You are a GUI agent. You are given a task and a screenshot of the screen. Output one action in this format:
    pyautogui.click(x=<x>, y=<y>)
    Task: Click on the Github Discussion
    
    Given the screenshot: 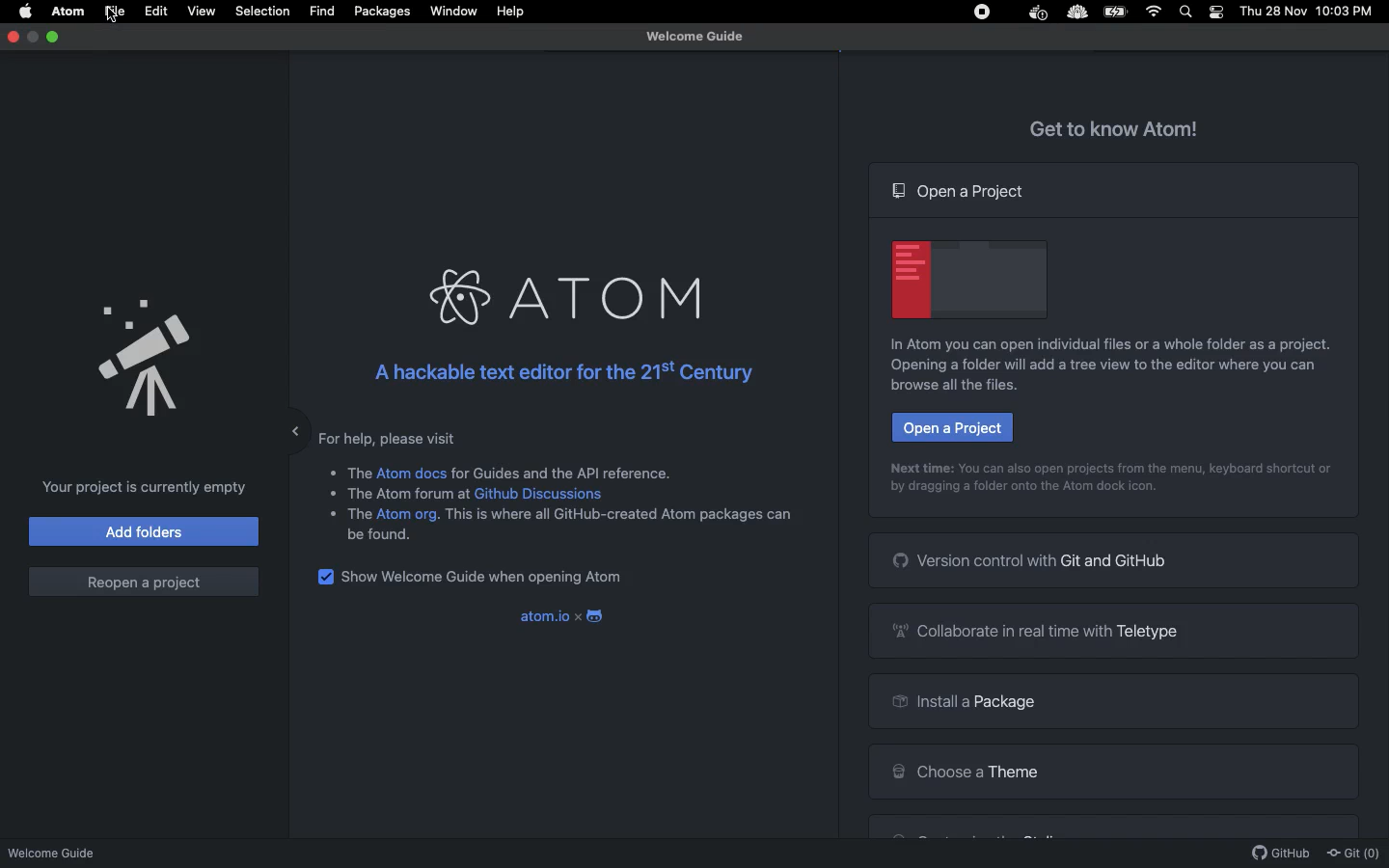 What is the action you would take?
    pyautogui.click(x=542, y=494)
    